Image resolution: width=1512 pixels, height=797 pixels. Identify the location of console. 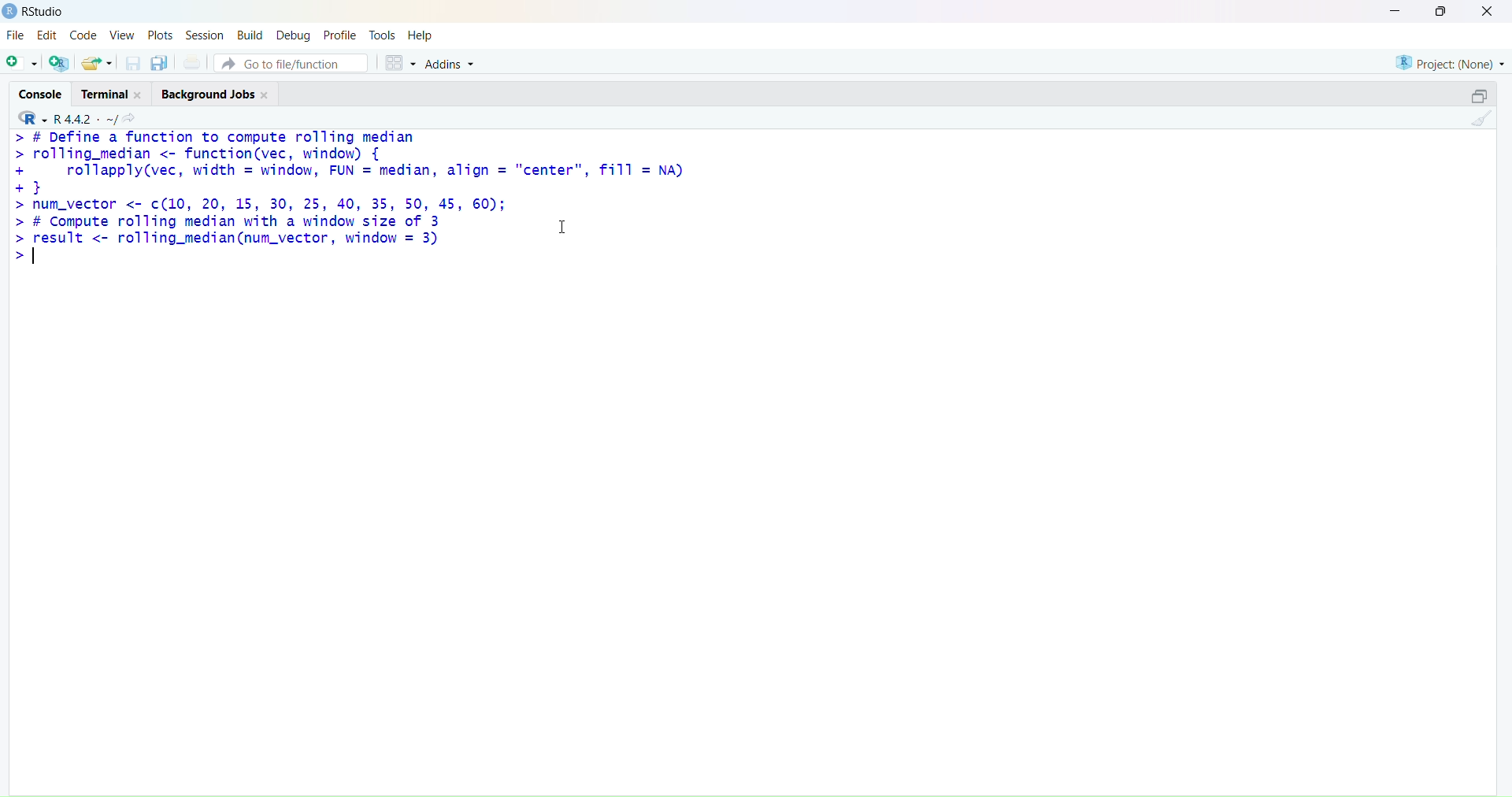
(41, 95).